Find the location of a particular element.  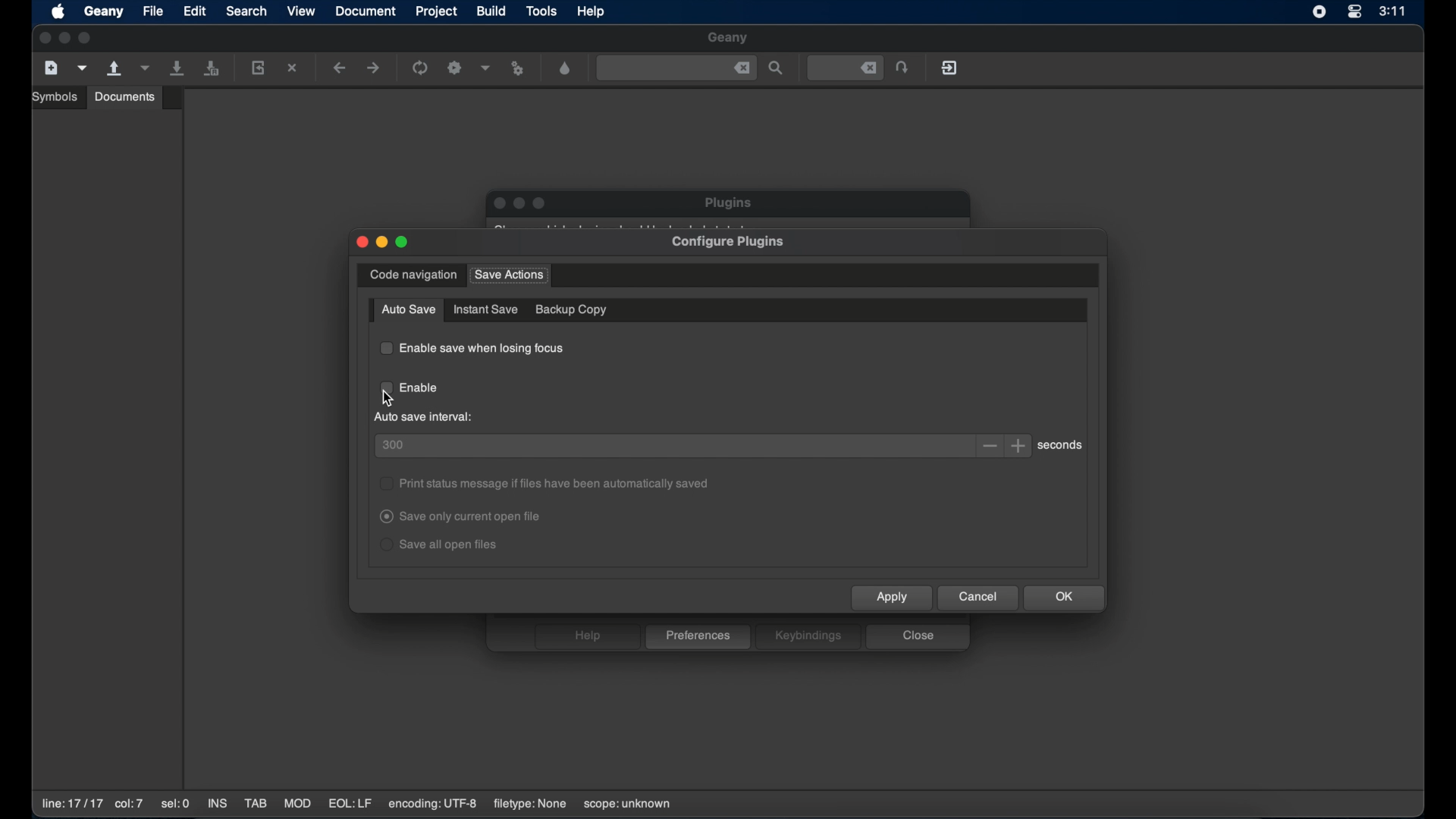

maximize is located at coordinates (87, 38).